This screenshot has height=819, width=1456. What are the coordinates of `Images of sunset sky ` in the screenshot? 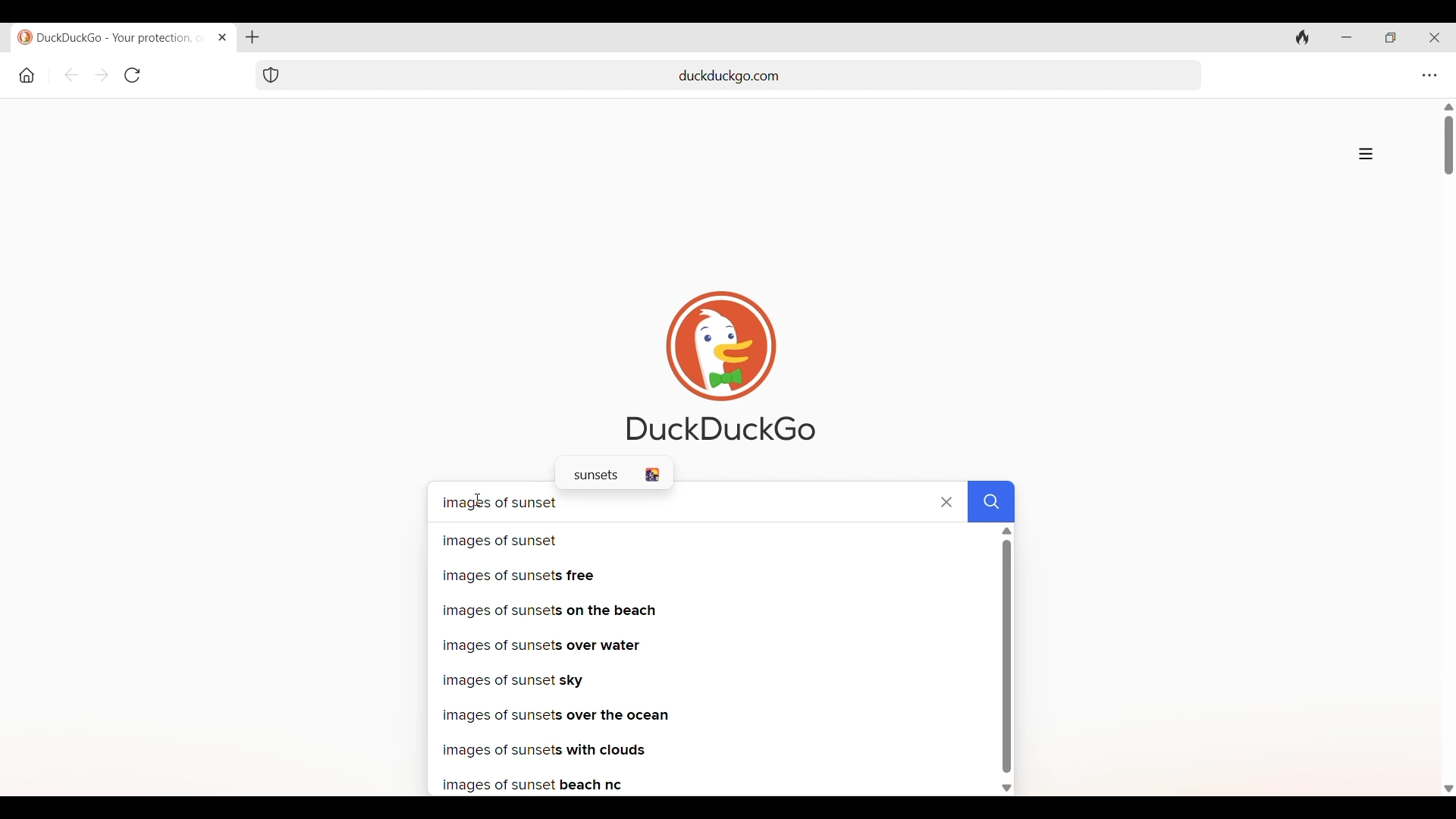 It's located at (710, 679).